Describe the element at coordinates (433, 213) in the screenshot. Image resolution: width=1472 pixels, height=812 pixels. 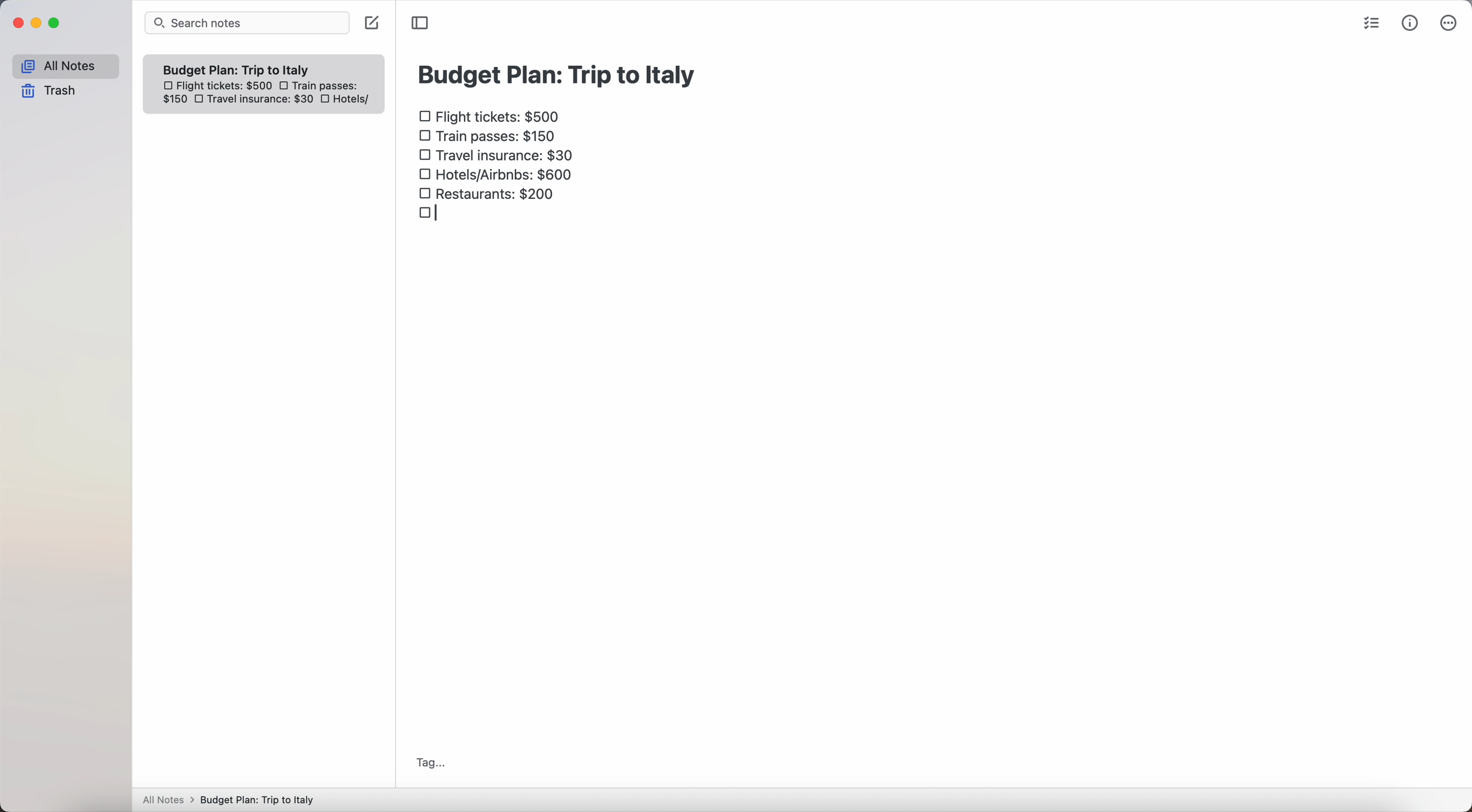
I see `checkbox` at that location.